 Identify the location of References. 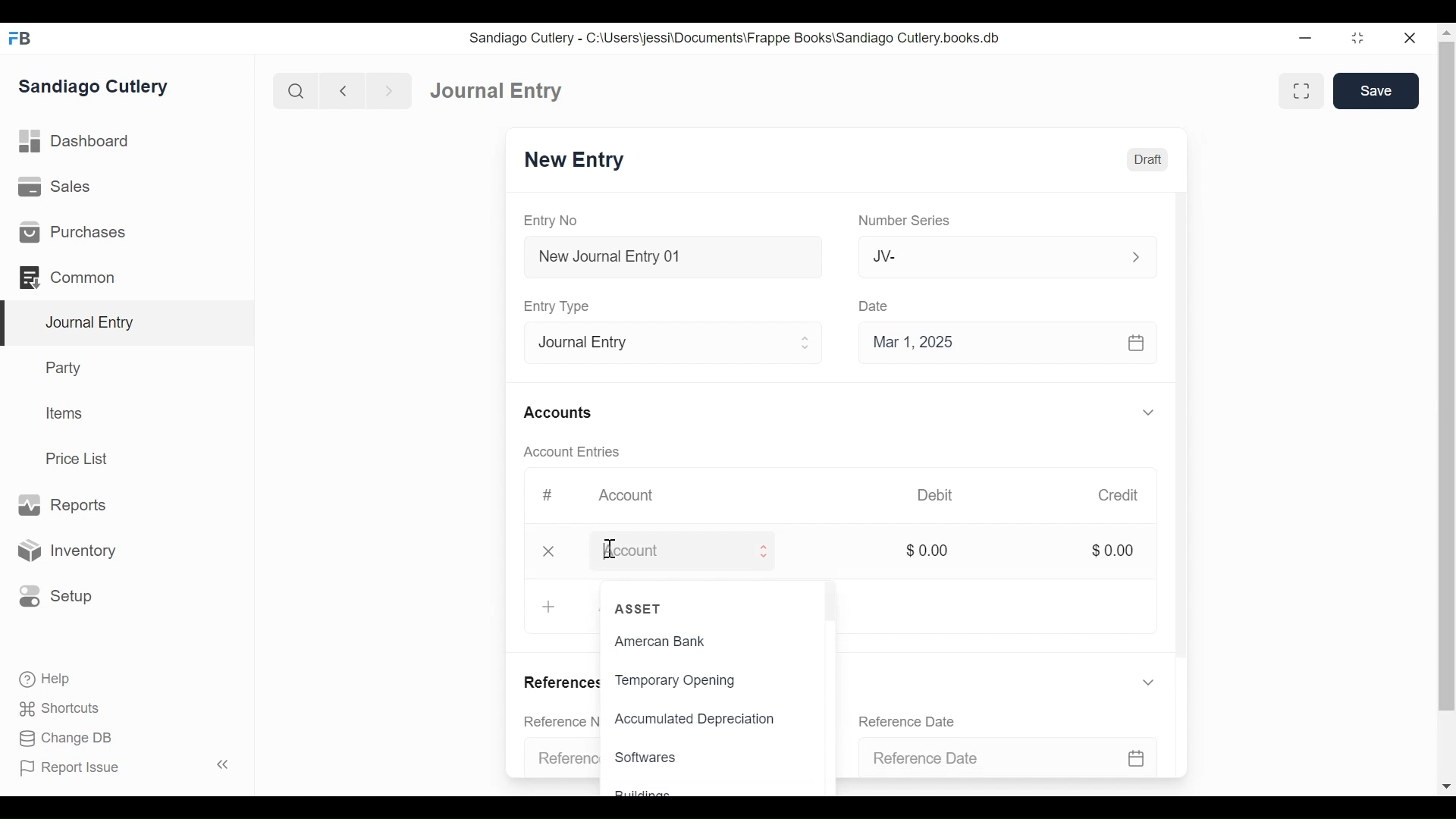
(561, 685).